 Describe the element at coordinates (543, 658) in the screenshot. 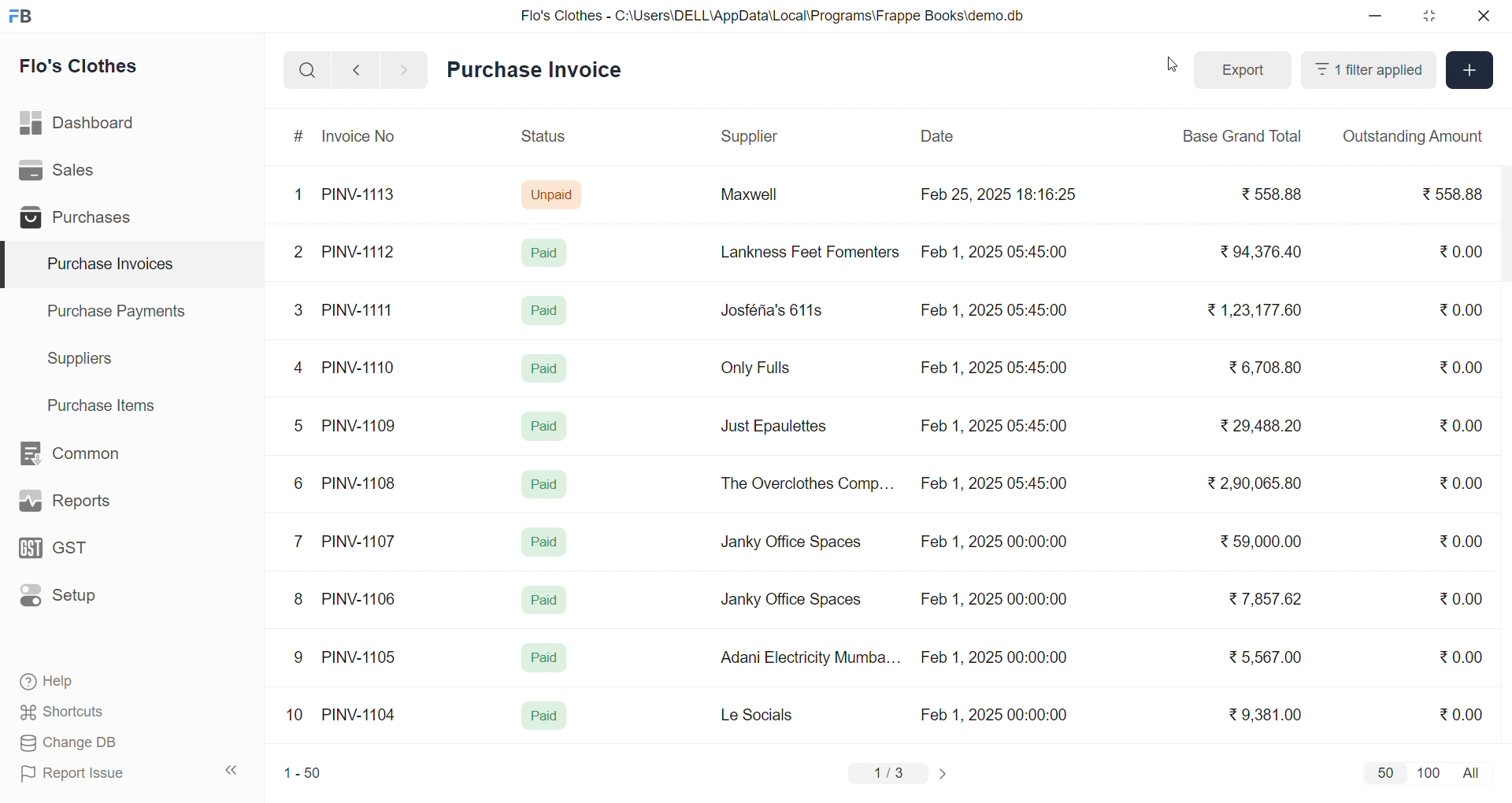

I see `Paid` at that location.